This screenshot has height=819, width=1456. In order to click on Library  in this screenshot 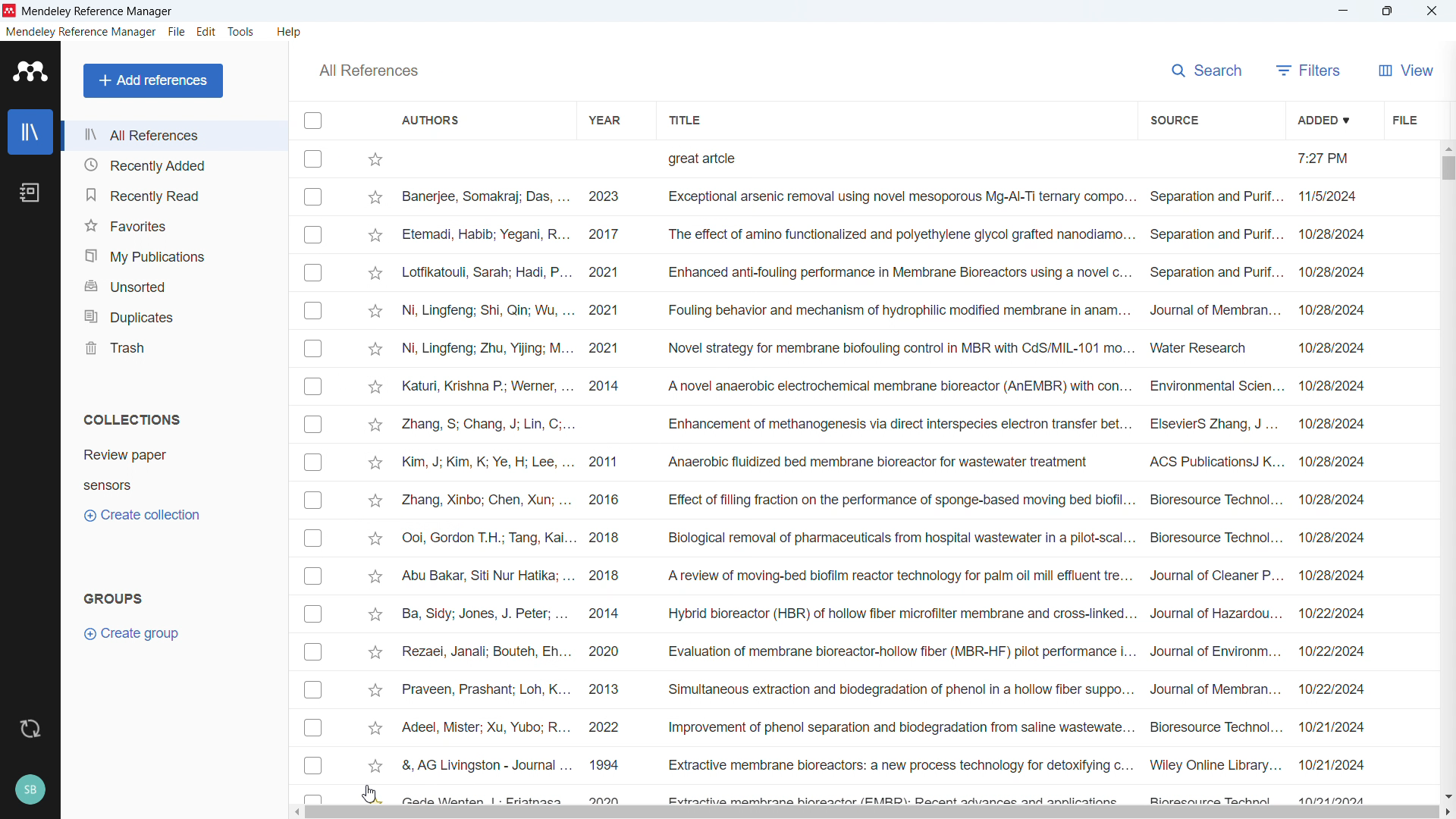, I will do `click(30, 132)`.